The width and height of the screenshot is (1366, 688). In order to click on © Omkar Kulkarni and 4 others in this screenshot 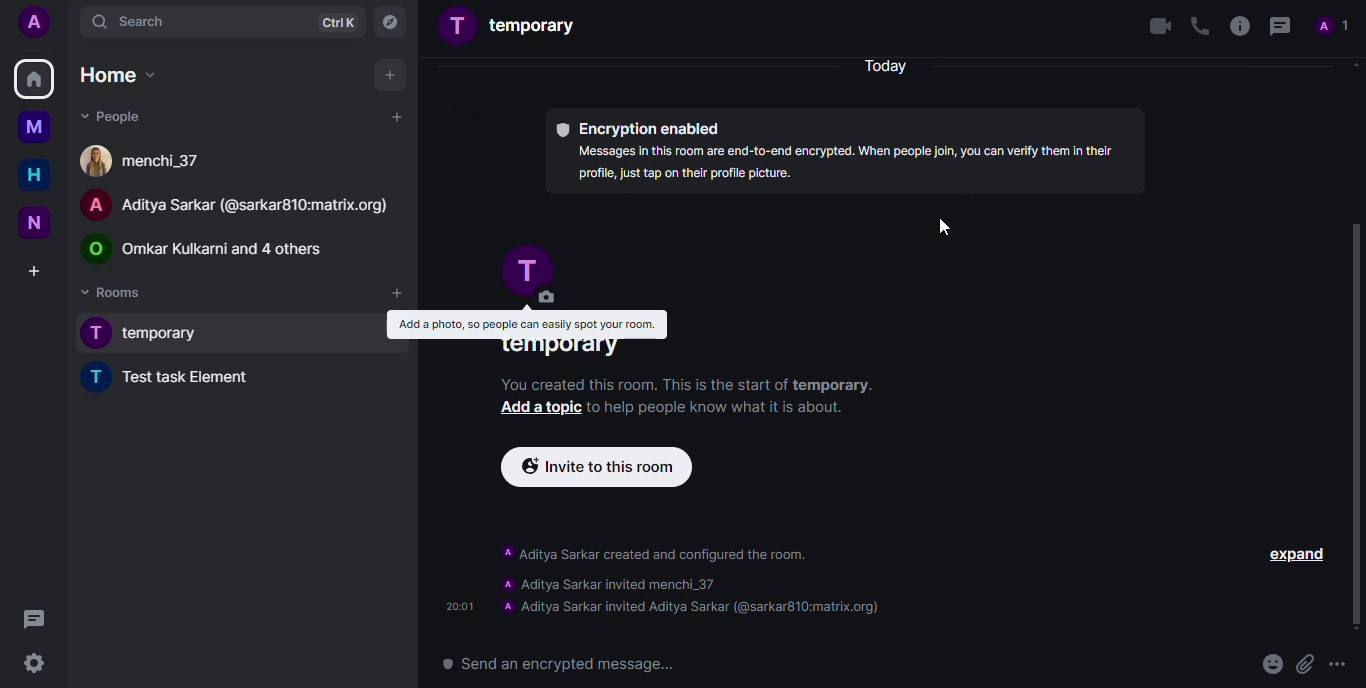, I will do `click(204, 250)`.